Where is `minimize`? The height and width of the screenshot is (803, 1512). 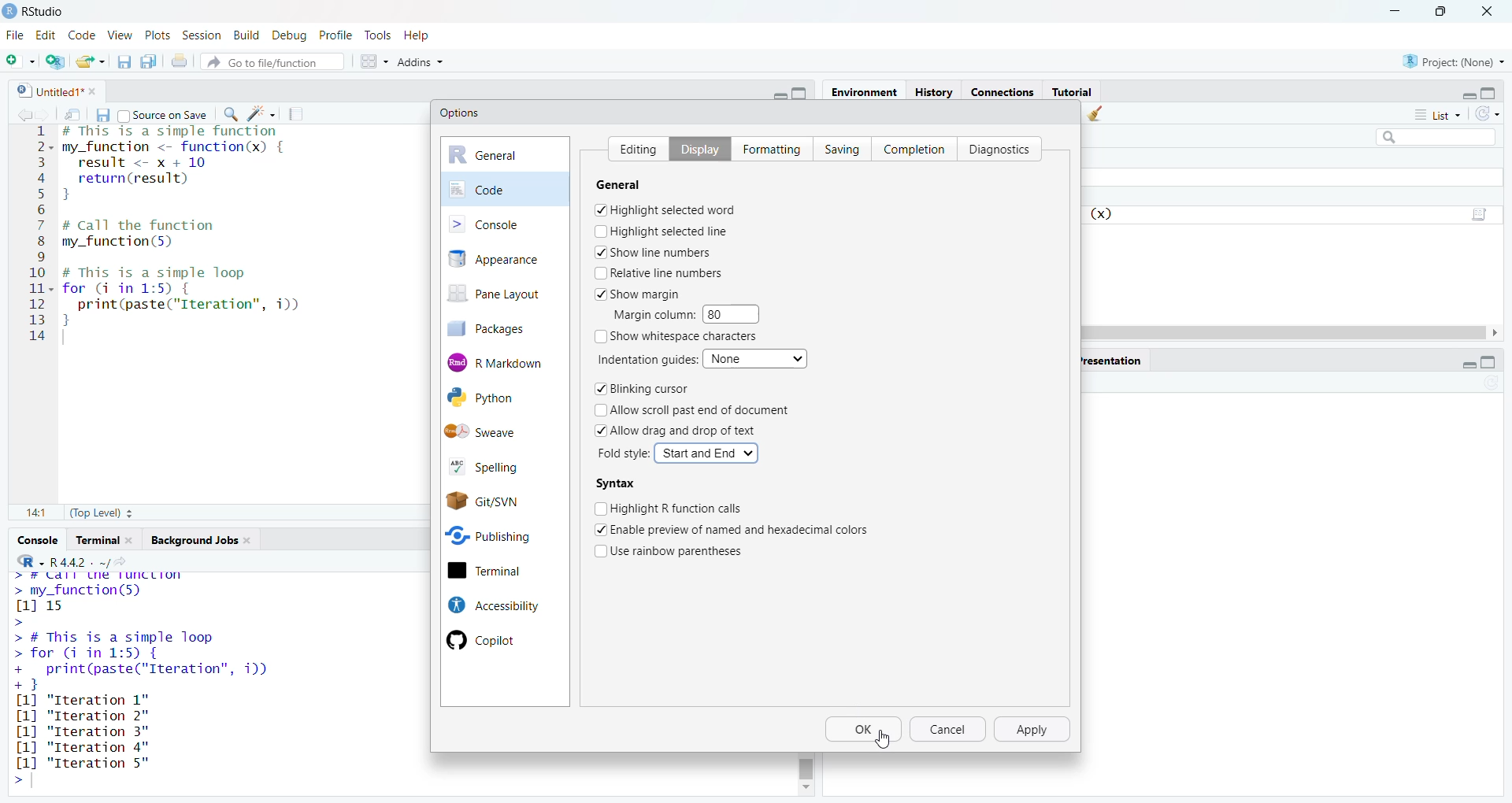 minimize is located at coordinates (1462, 364).